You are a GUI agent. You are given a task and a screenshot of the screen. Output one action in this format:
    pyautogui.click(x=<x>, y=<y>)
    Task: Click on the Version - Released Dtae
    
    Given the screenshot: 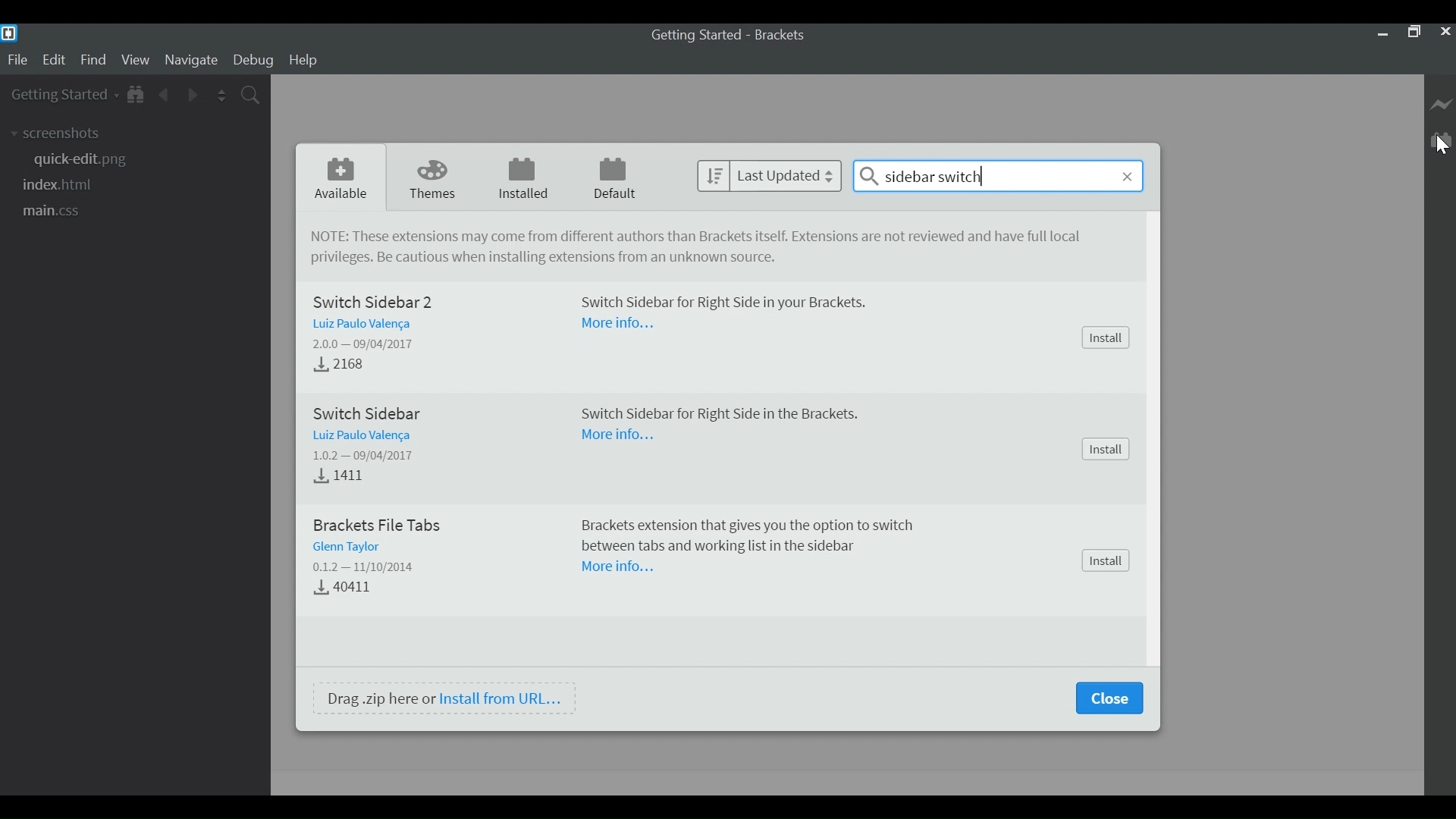 What is the action you would take?
    pyautogui.click(x=372, y=455)
    